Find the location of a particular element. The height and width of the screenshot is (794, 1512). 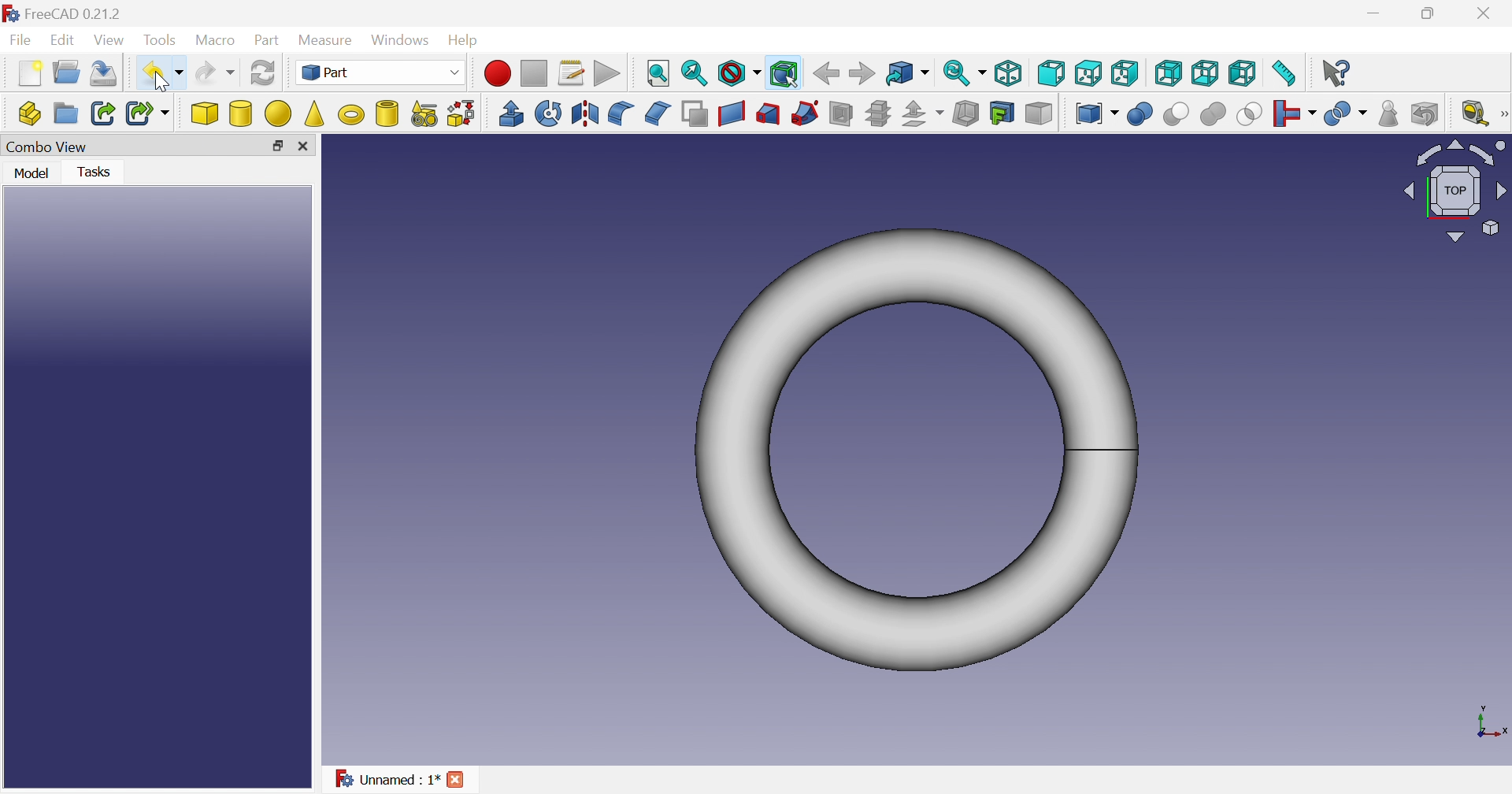

Donut is located at coordinates (352, 114).